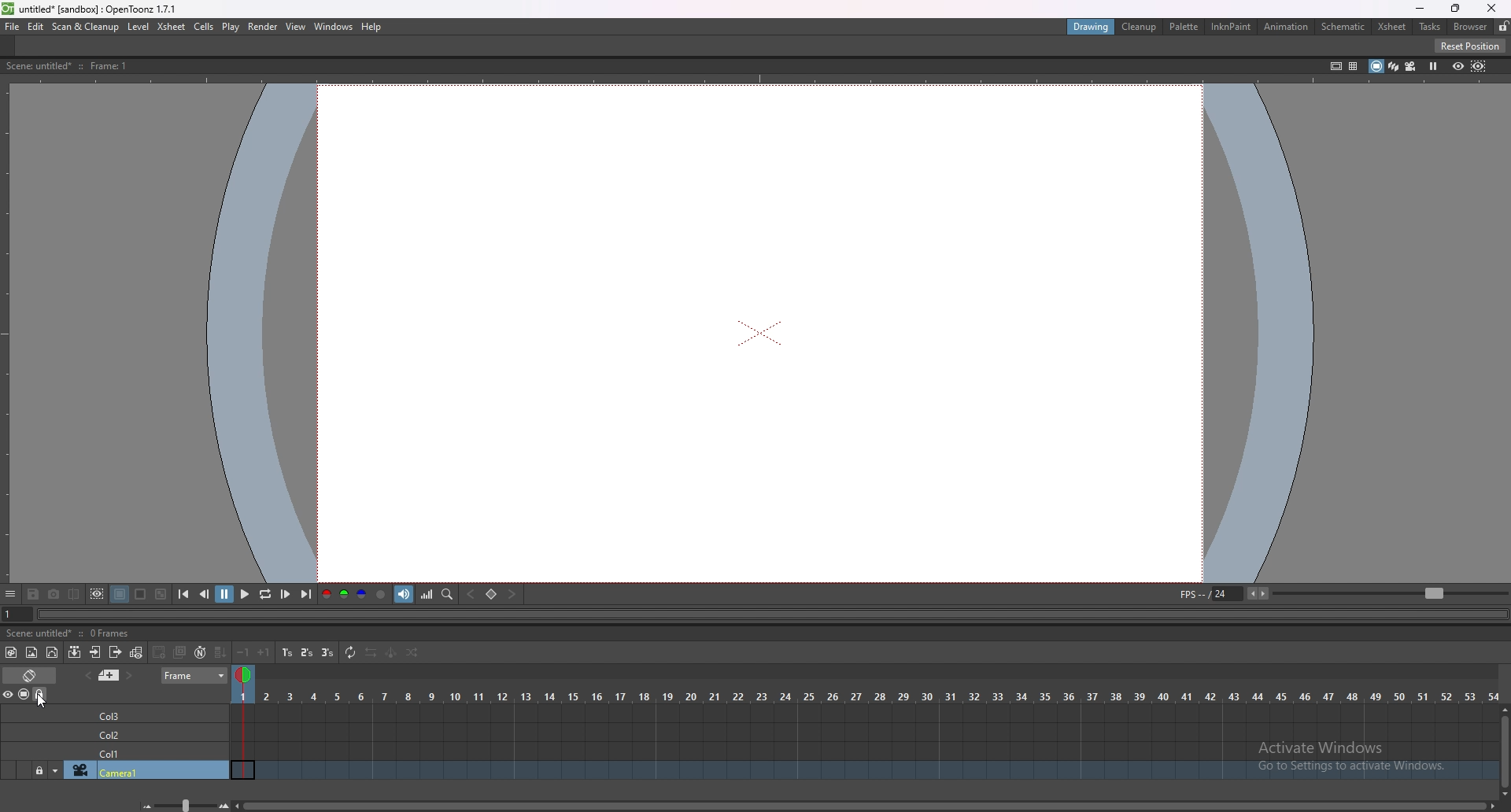 The image size is (1511, 812). I want to click on timeline, so click(864, 731).